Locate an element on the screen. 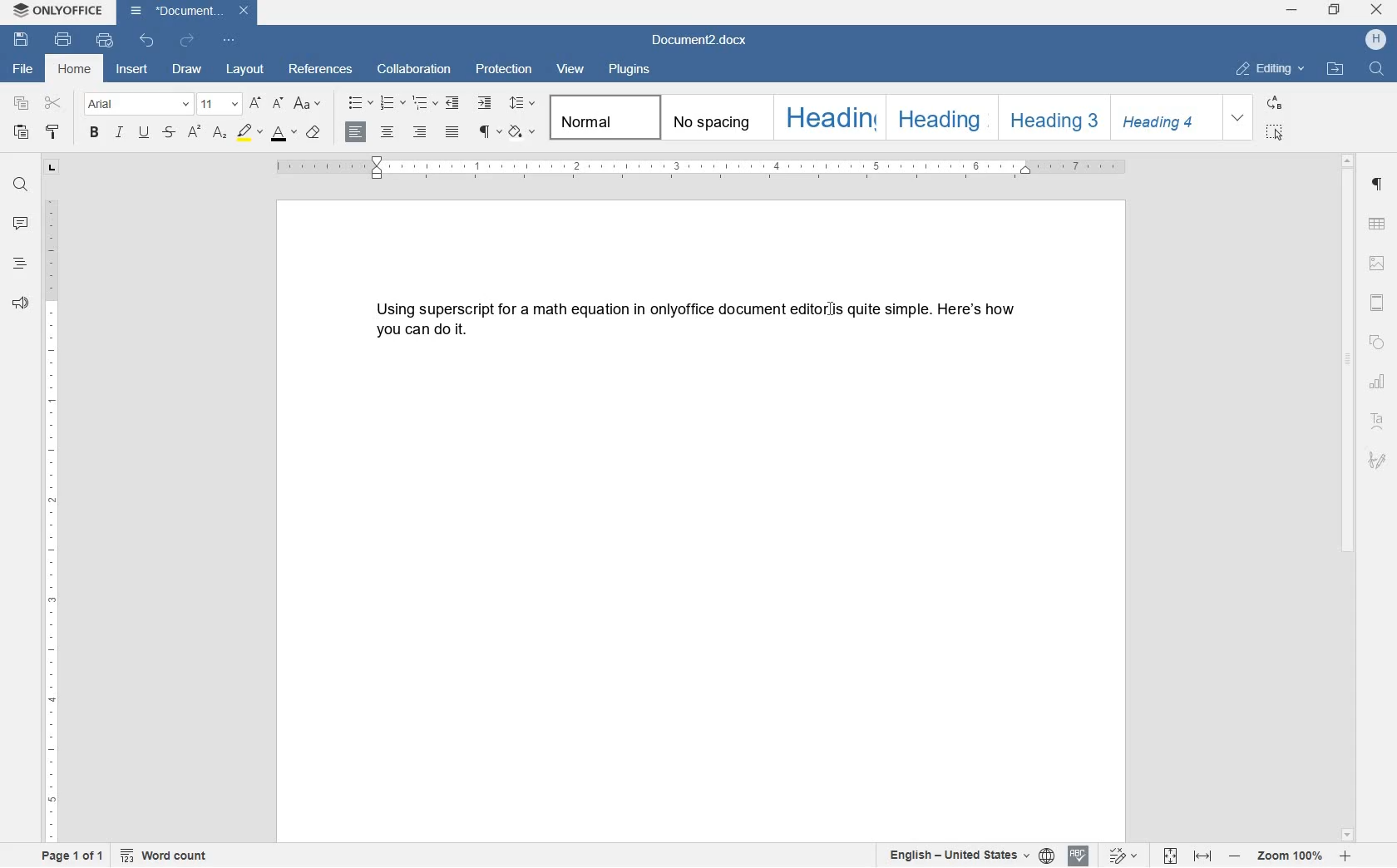  HEADING 2 is located at coordinates (937, 116).